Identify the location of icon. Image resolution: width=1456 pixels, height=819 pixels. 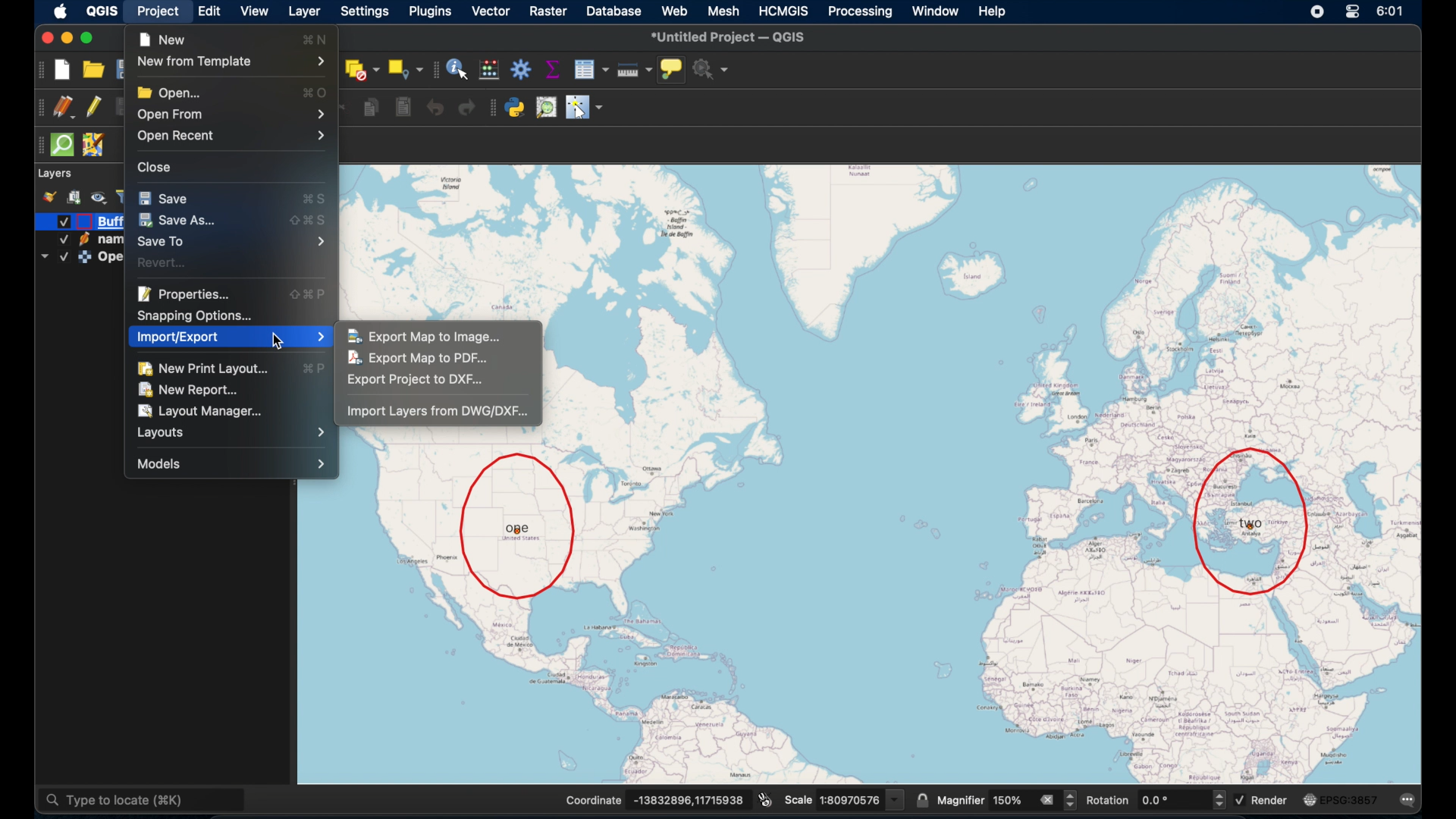
(85, 257).